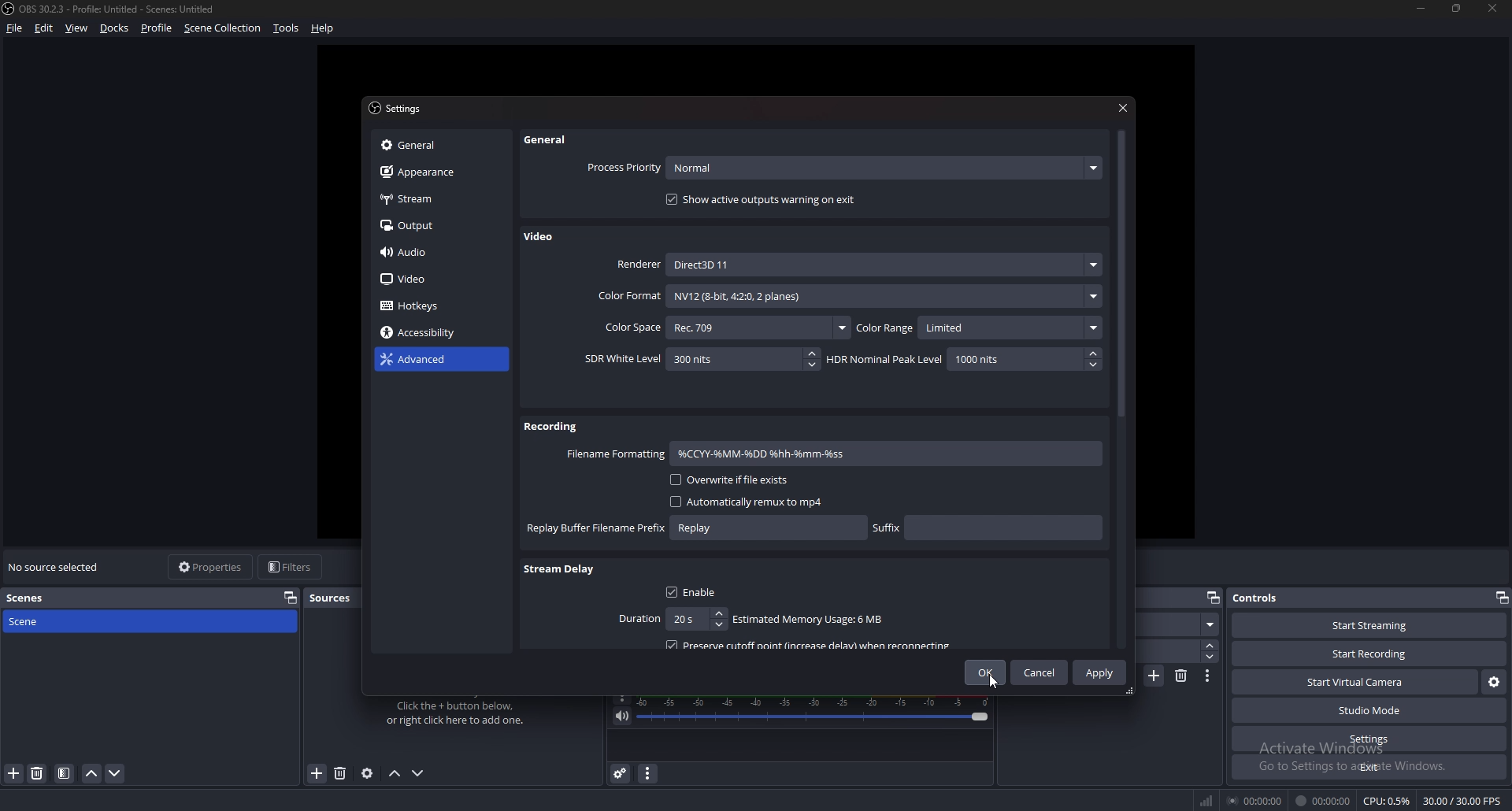  Describe the element at coordinates (815, 709) in the screenshot. I see `audio bar` at that location.